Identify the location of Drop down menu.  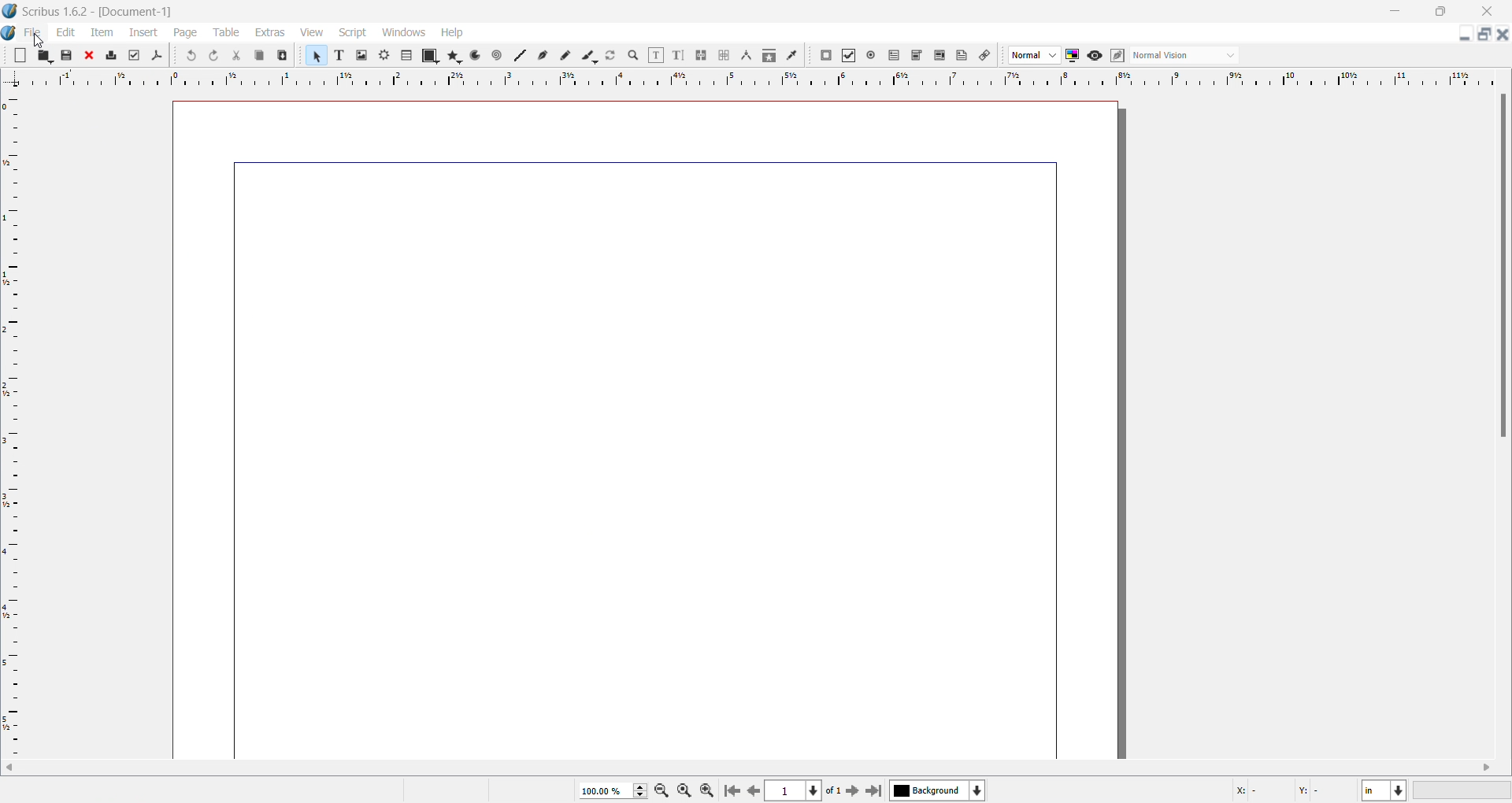
(1241, 56).